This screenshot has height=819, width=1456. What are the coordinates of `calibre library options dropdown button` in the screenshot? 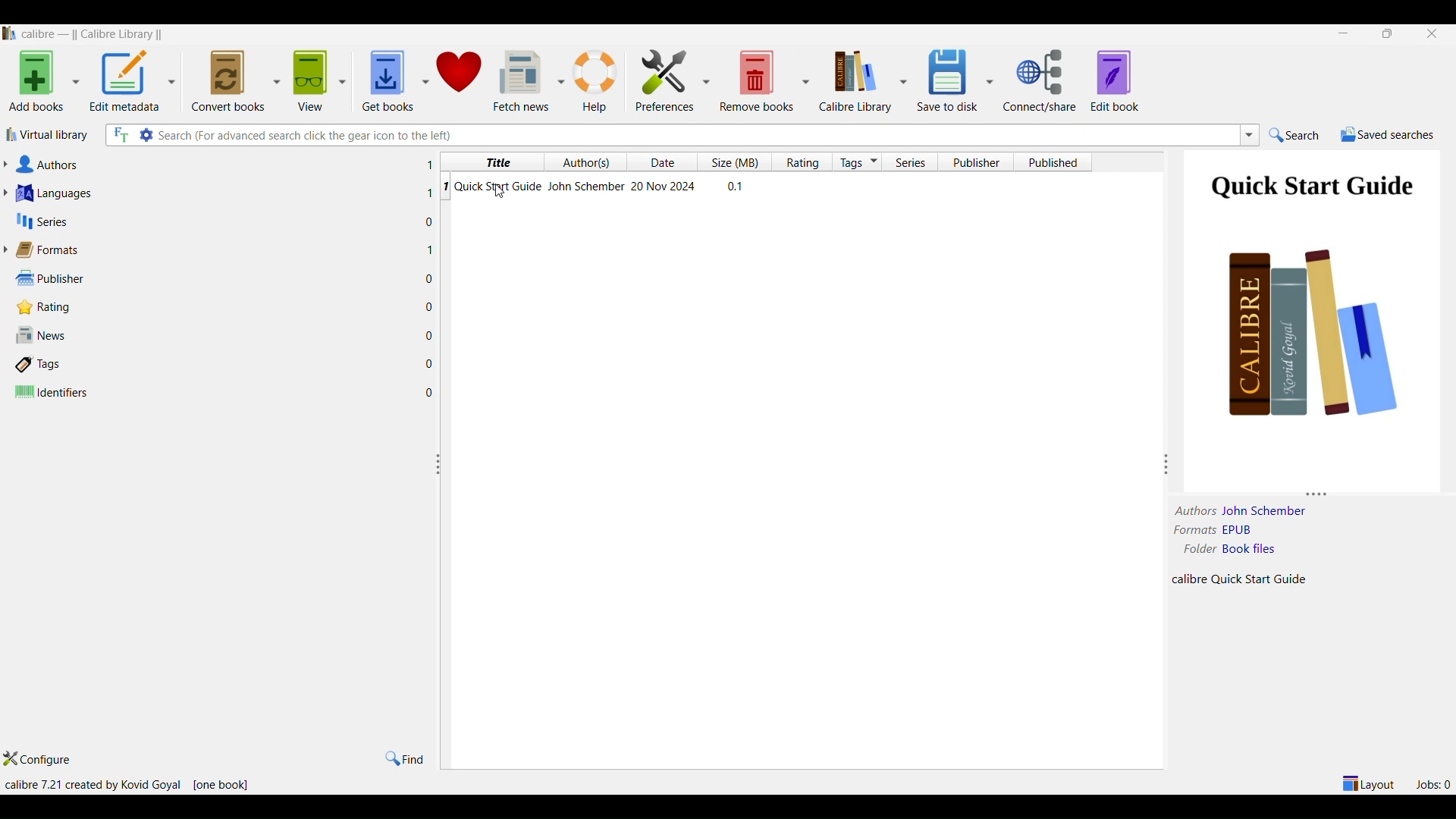 It's located at (902, 81).